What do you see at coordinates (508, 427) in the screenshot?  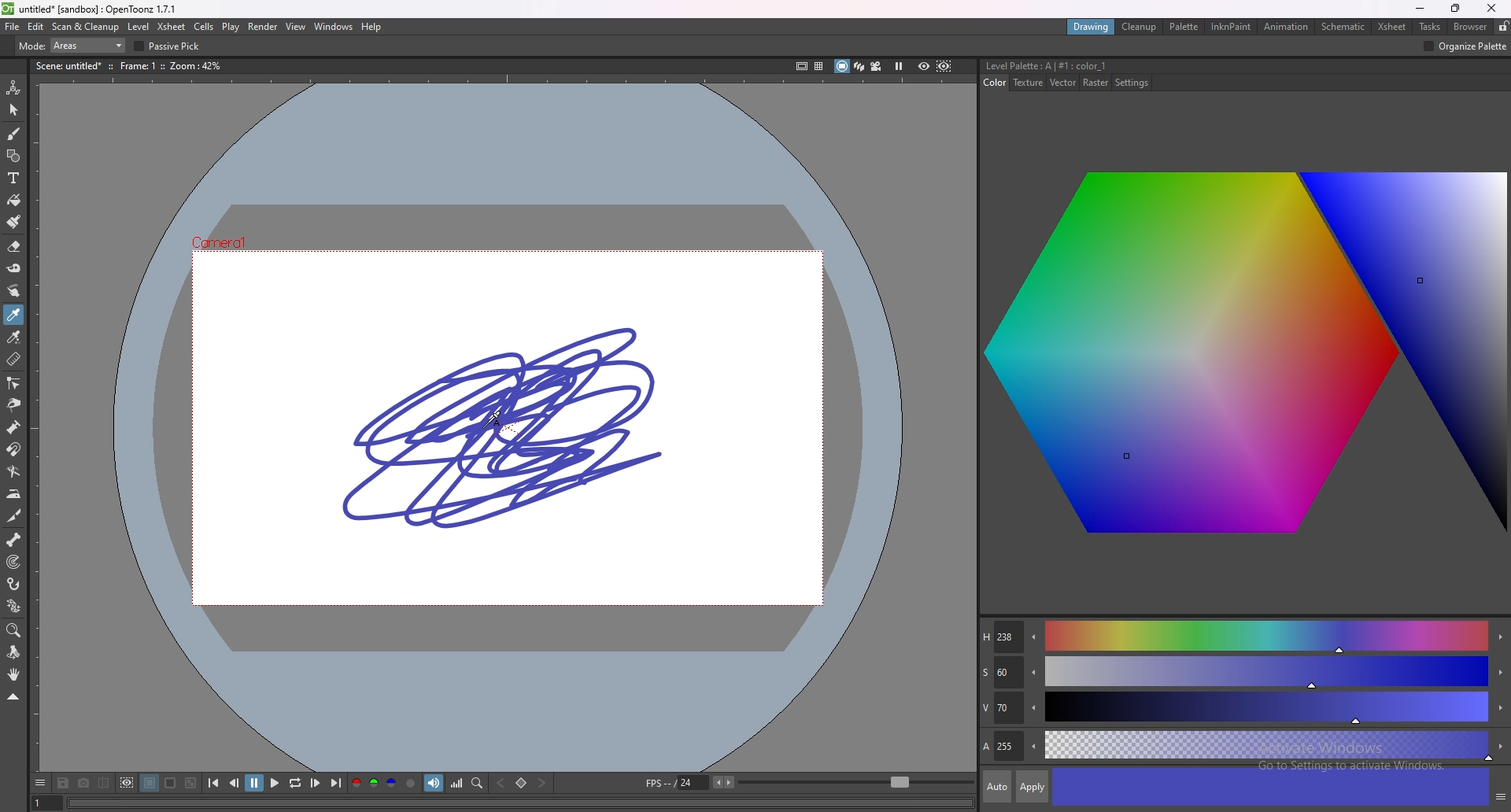 I see `drawing` at bounding box center [508, 427].